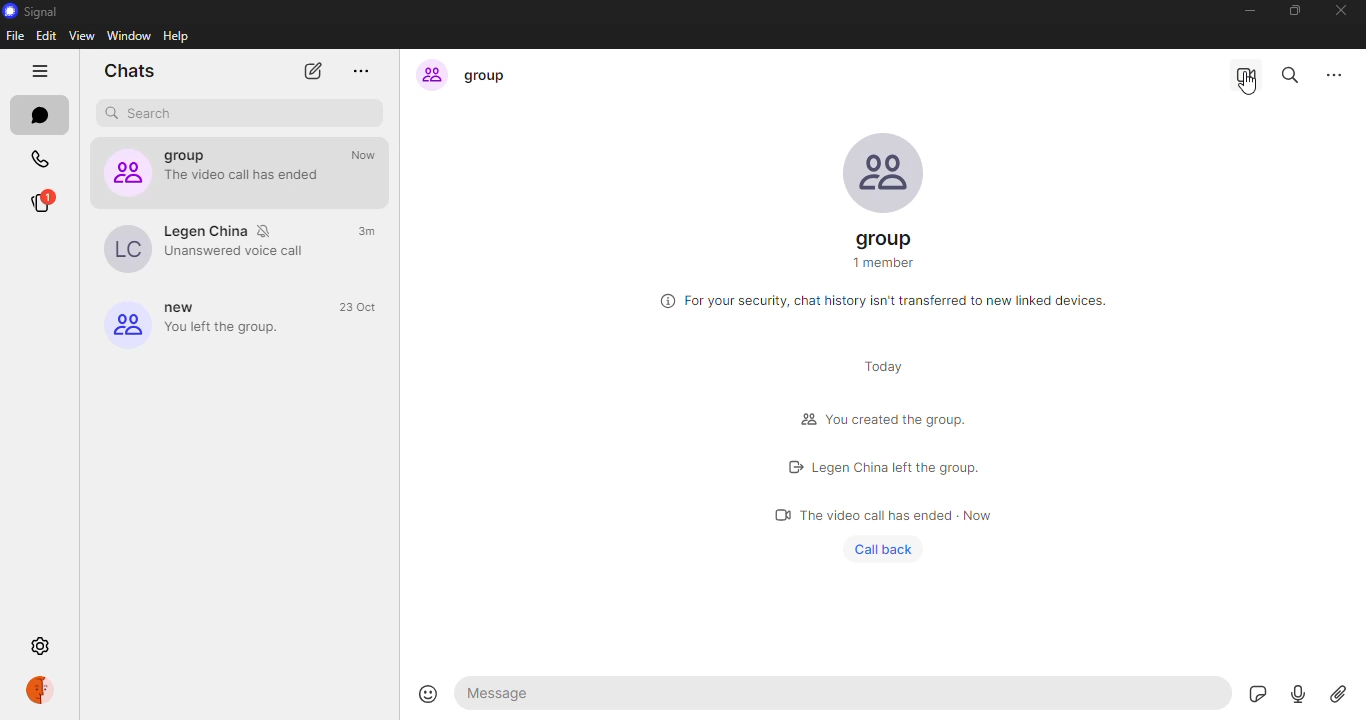 This screenshot has width=1366, height=720. Describe the element at coordinates (1335, 696) in the screenshot. I see `attach` at that location.